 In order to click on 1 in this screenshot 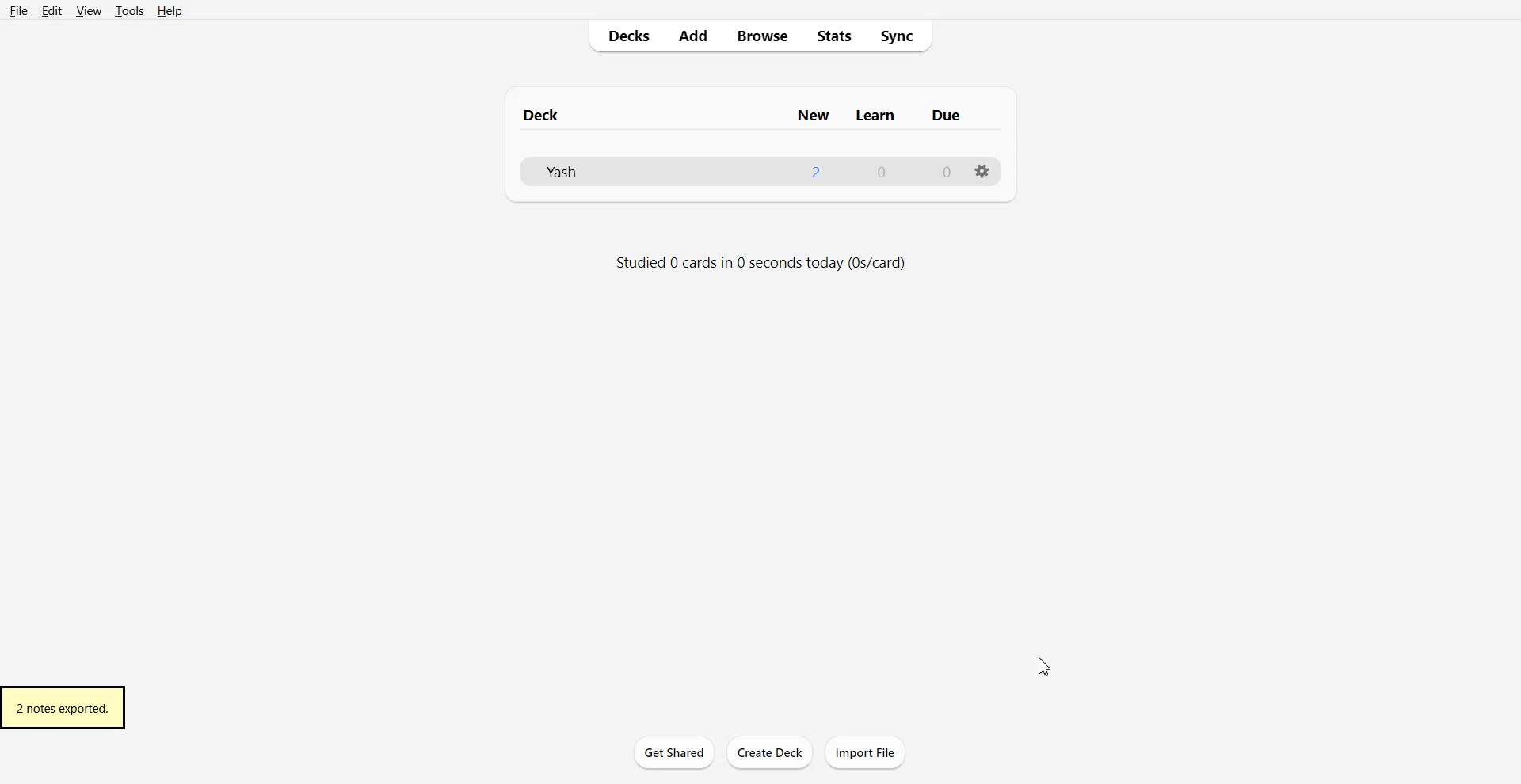, I will do `click(814, 171)`.